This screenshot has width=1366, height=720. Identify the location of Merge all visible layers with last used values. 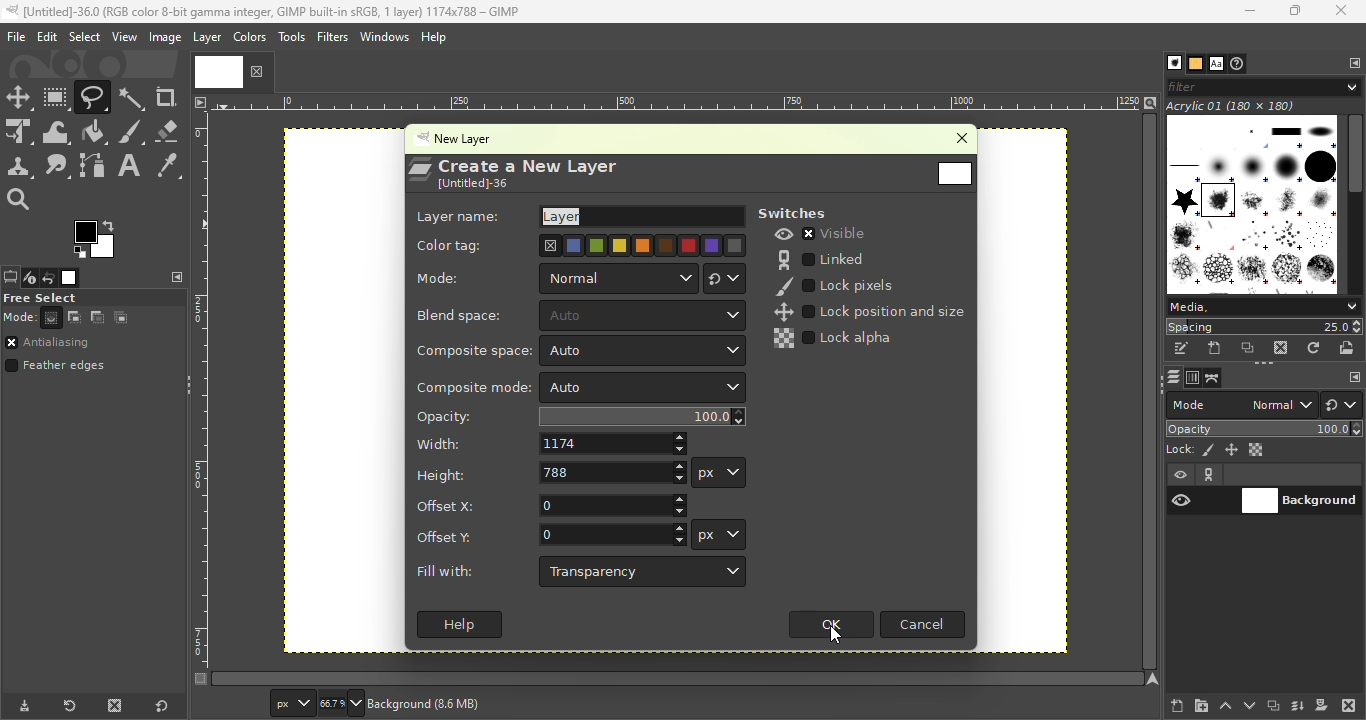
(1299, 706).